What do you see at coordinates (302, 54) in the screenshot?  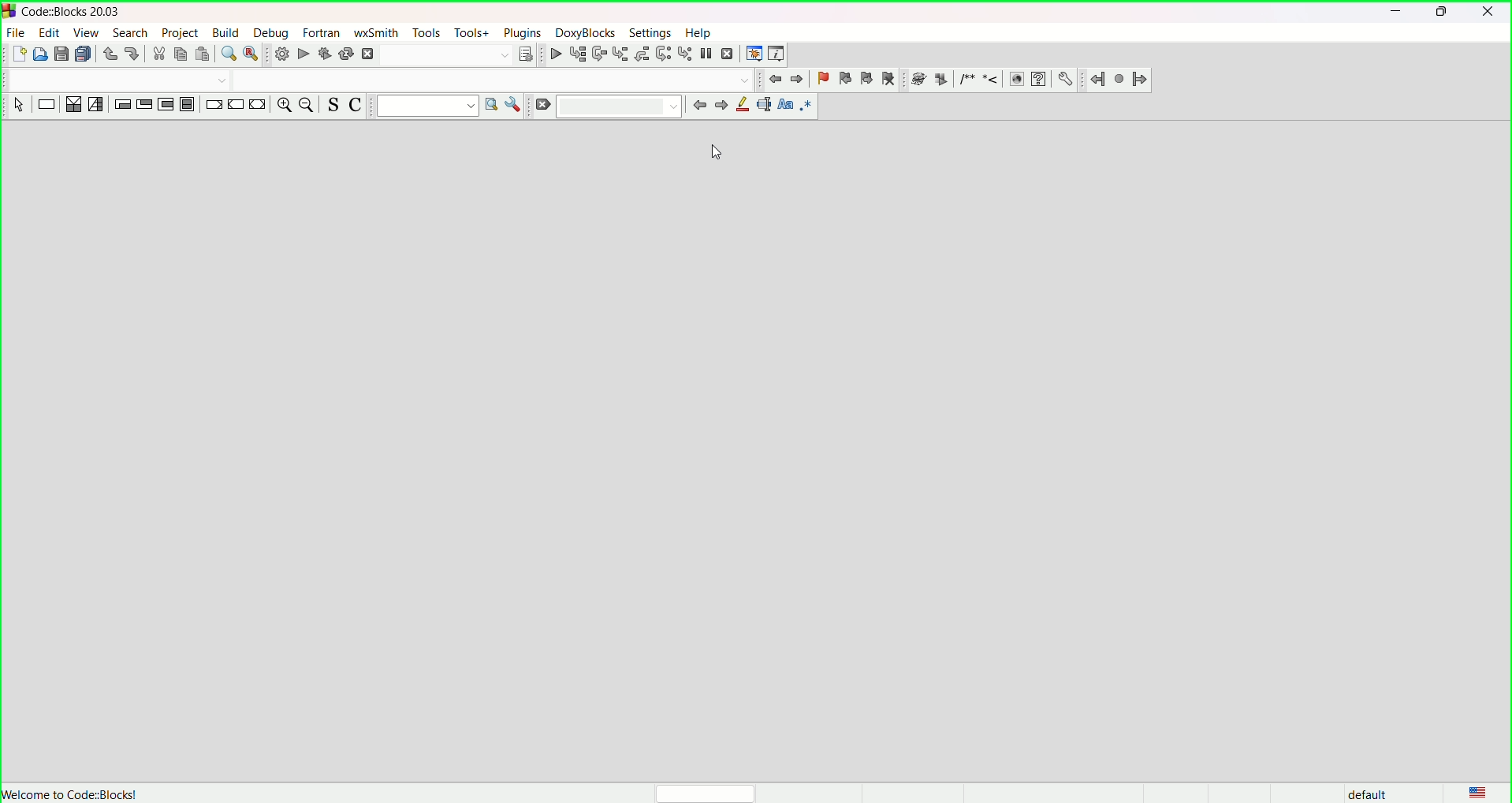 I see `run` at bounding box center [302, 54].